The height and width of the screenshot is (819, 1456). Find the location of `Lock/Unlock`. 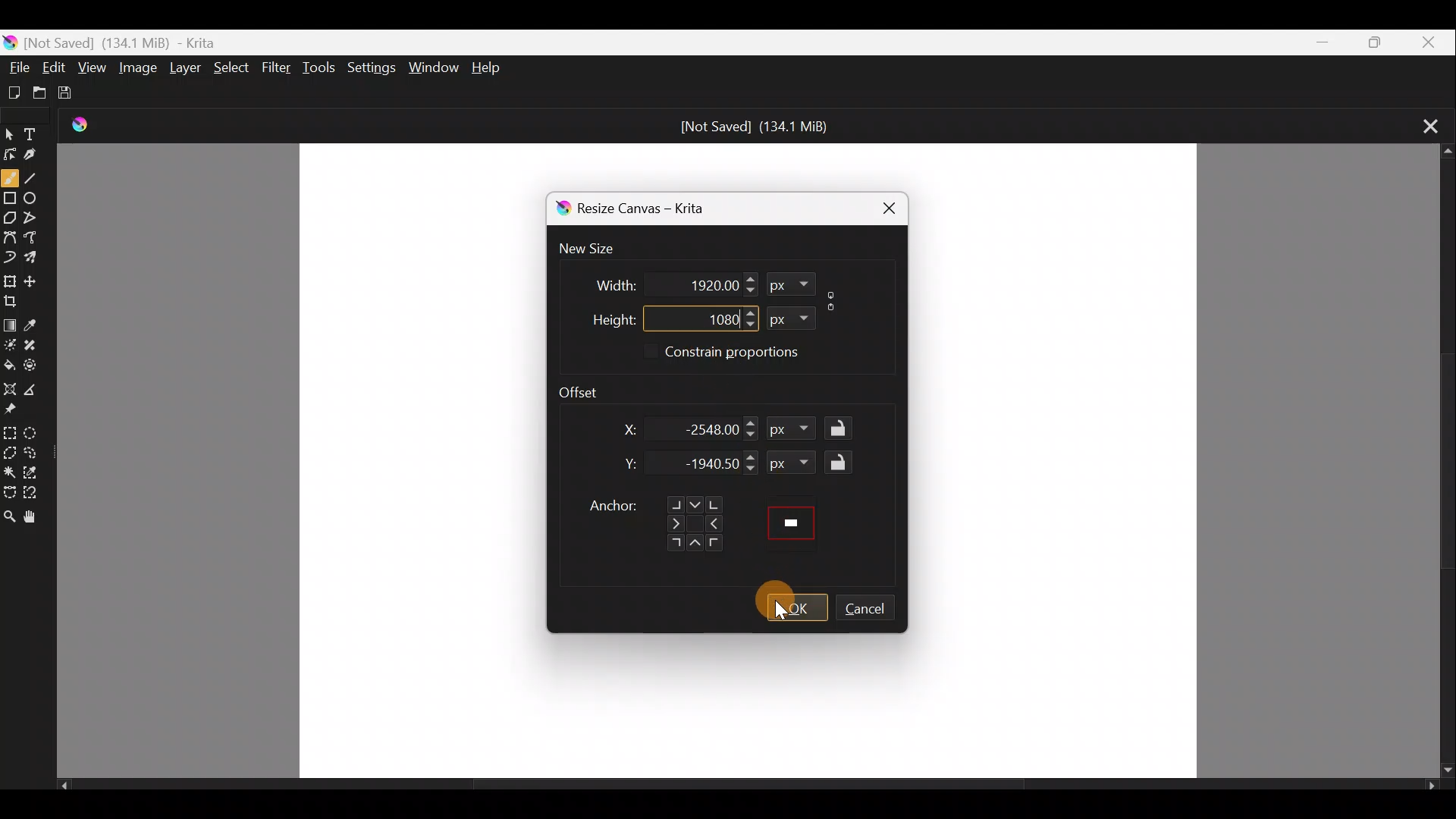

Lock/Unlock is located at coordinates (843, 429).